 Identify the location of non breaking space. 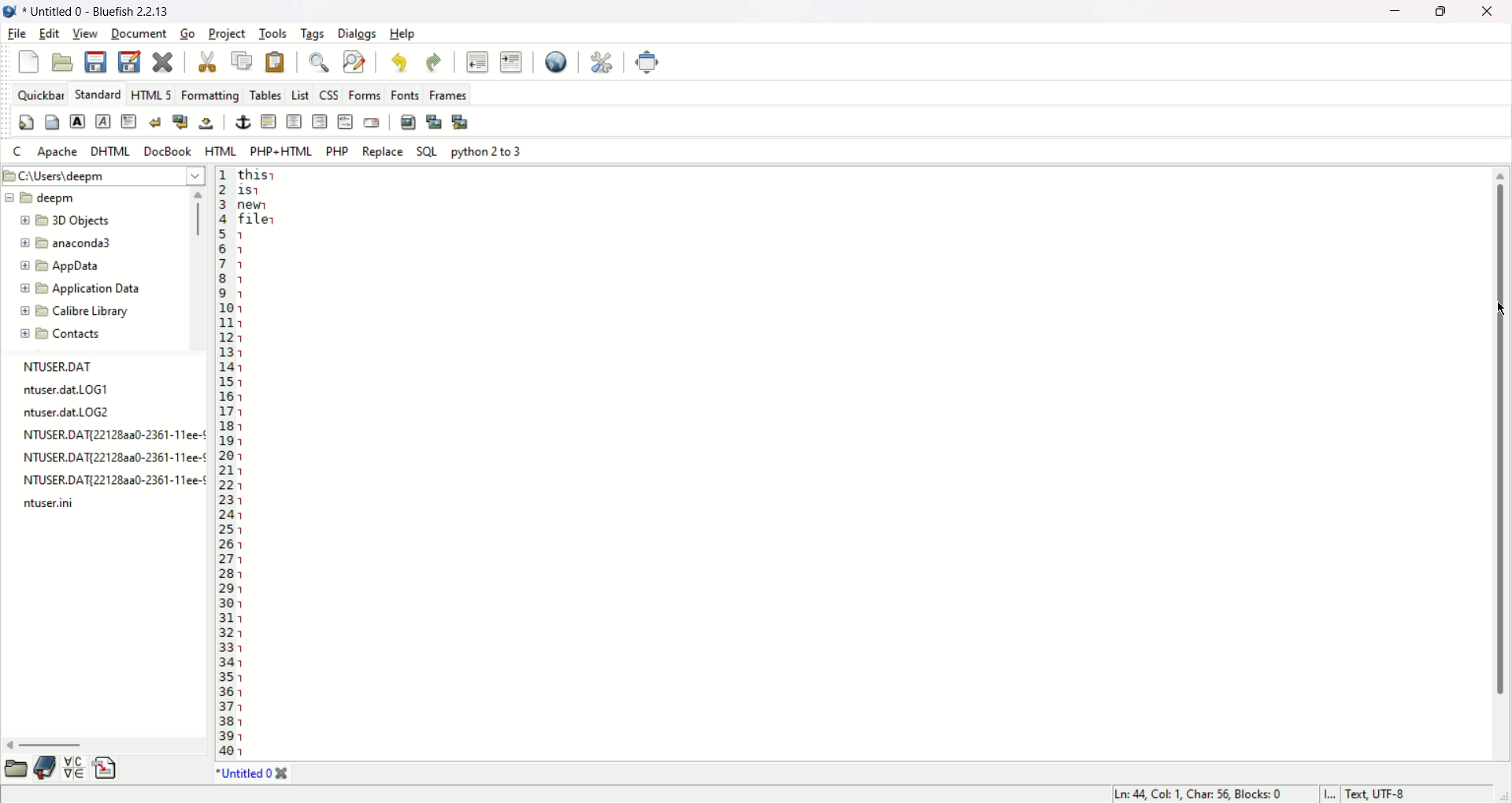
(206, 124).